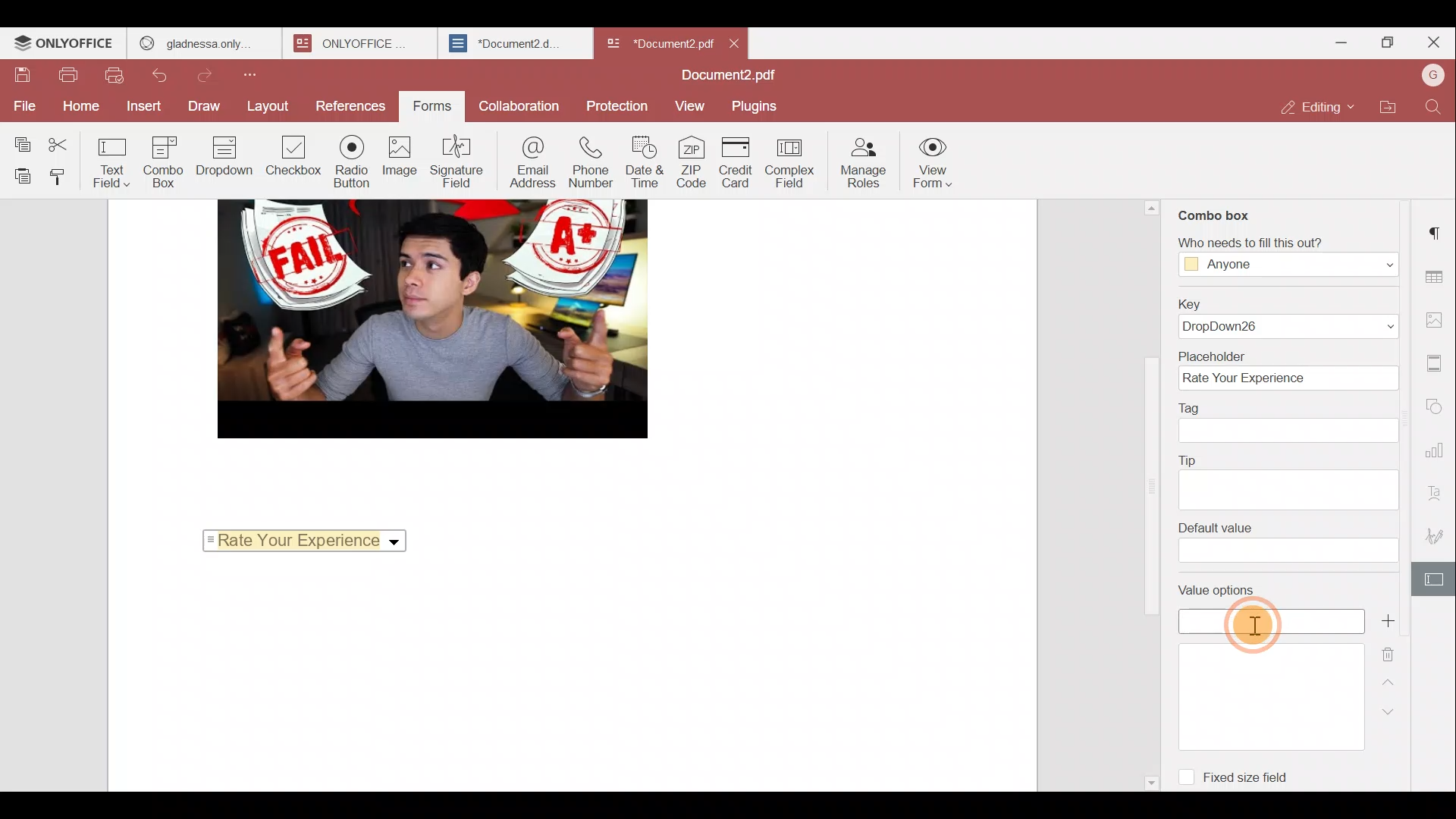 The width and height of the screenshot is (1456, 819). What do you see at coordinates (212, 76) in the screenshot?
I see `Redo` at bounding box center [212, 76].